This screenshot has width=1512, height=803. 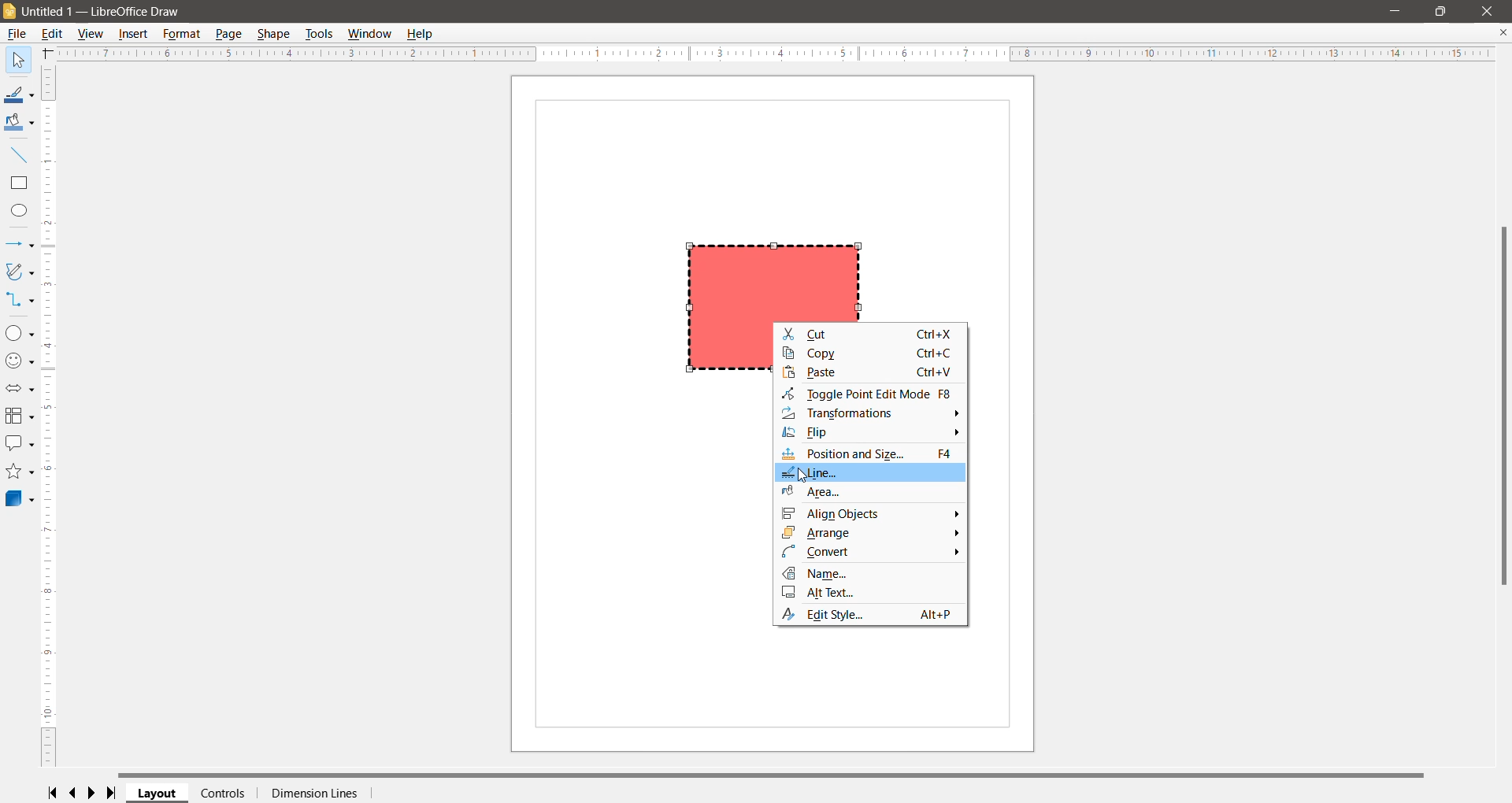 I want to click on Edit, so click(x=53, y=35).